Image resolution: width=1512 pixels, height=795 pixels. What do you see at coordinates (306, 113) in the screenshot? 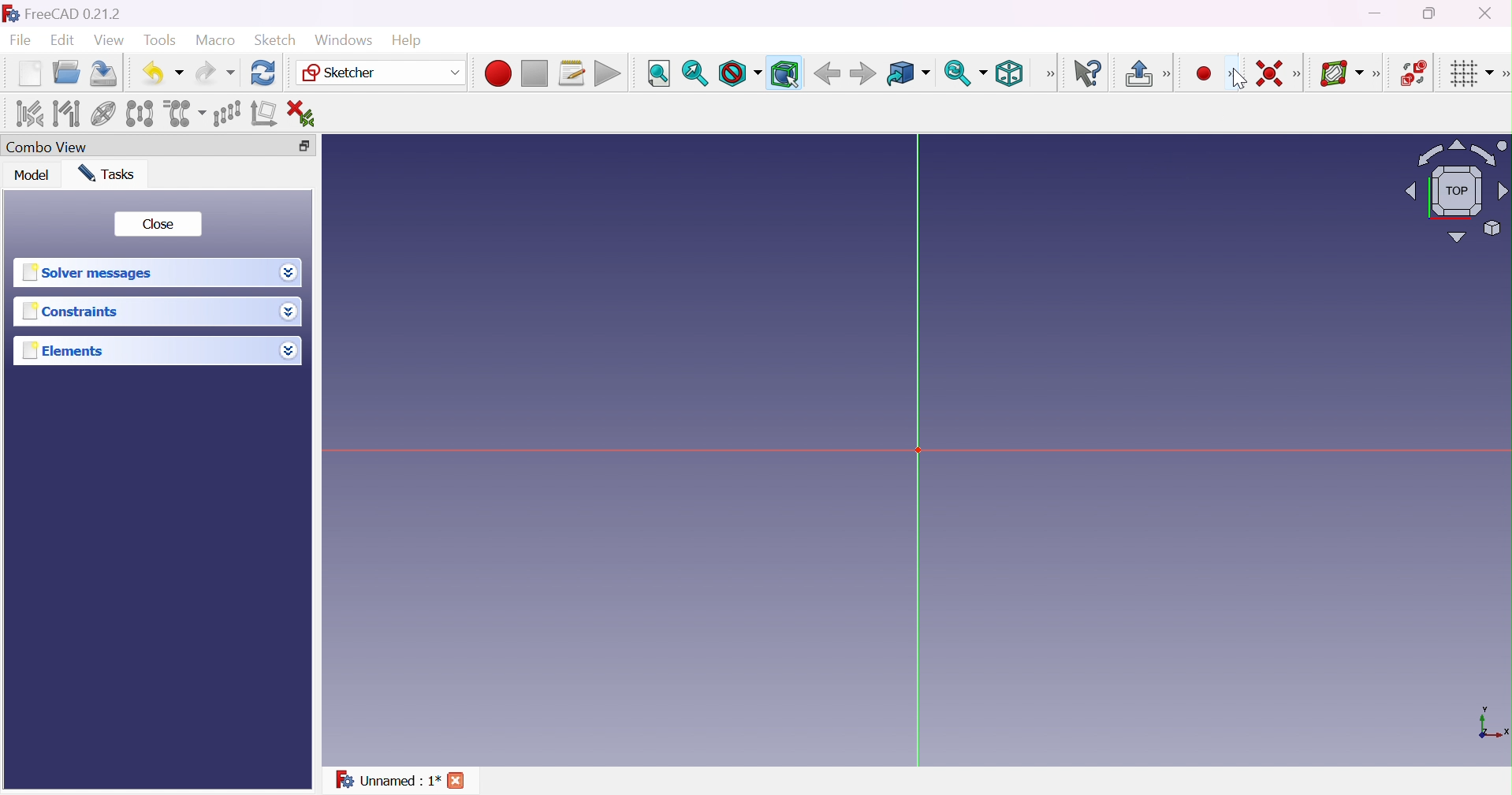
I see `Delete all constraints` at bounding box center [306, 113].